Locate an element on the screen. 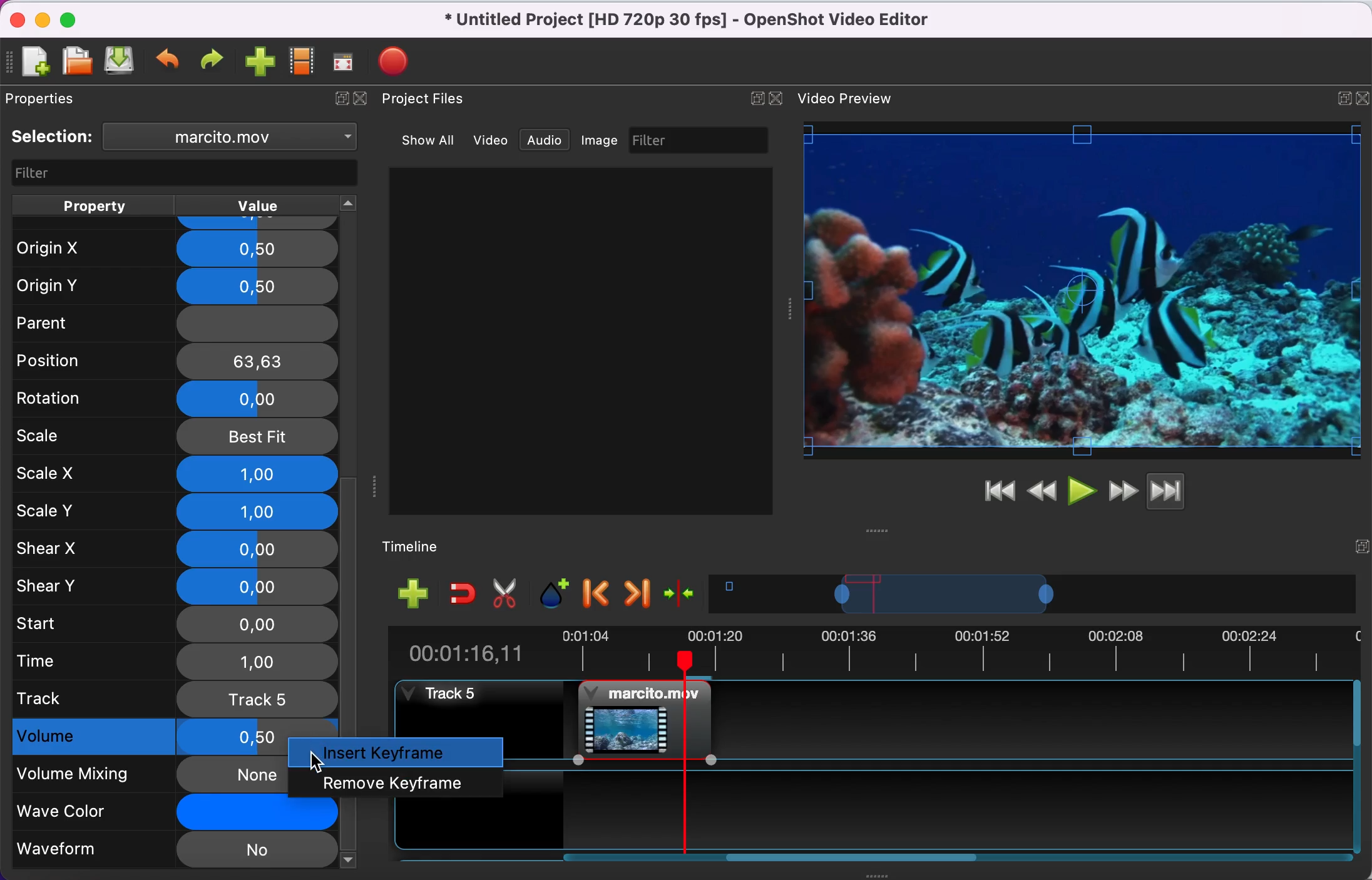 Image resolution: width=1372 pixels, height=880 pixels. cursor is located at coordinates (315, 762).